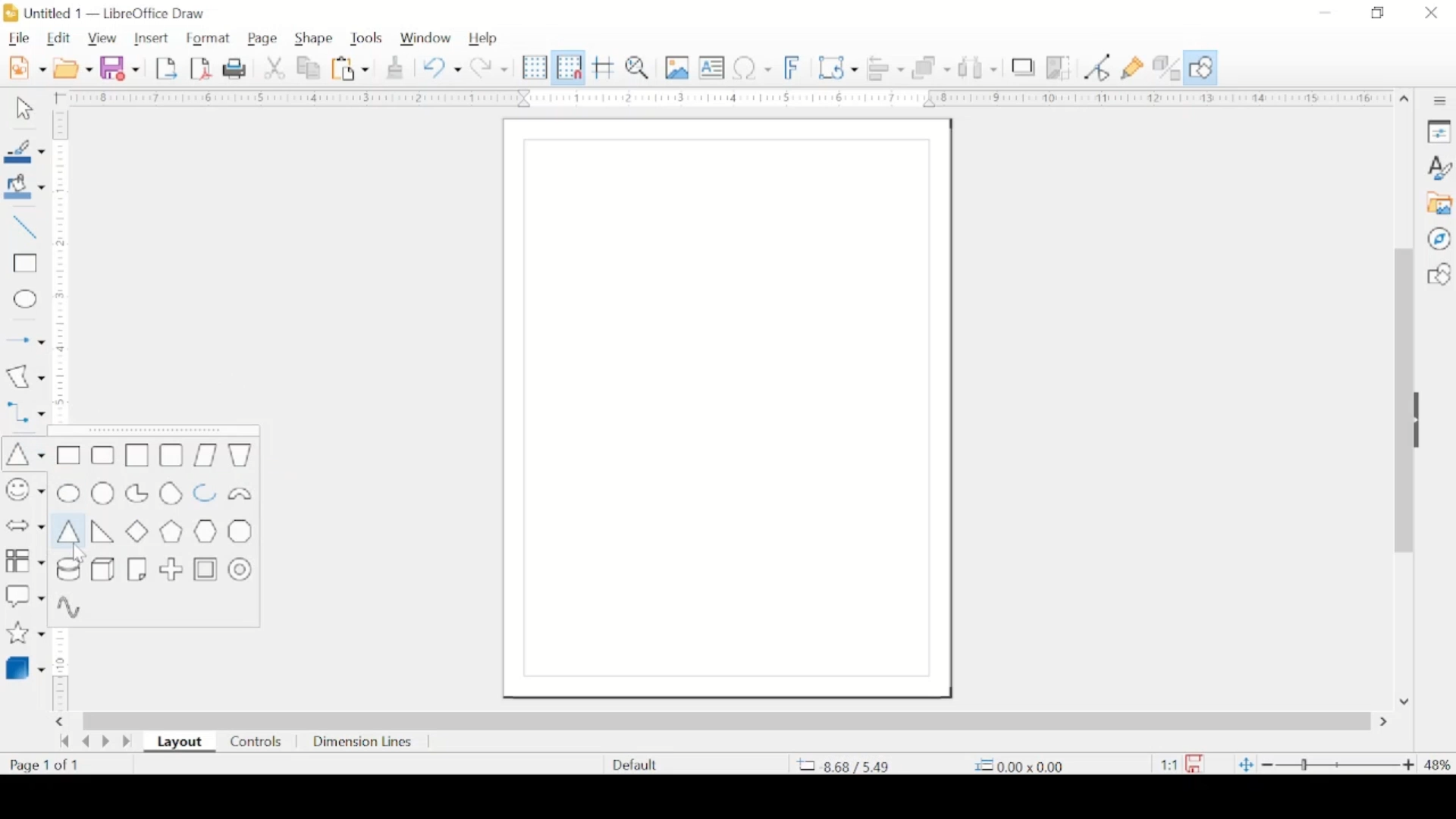 The image size is (1456, 819). Describe the element at coordinates (29, 67) in the screenshot. I see `new` at that location.